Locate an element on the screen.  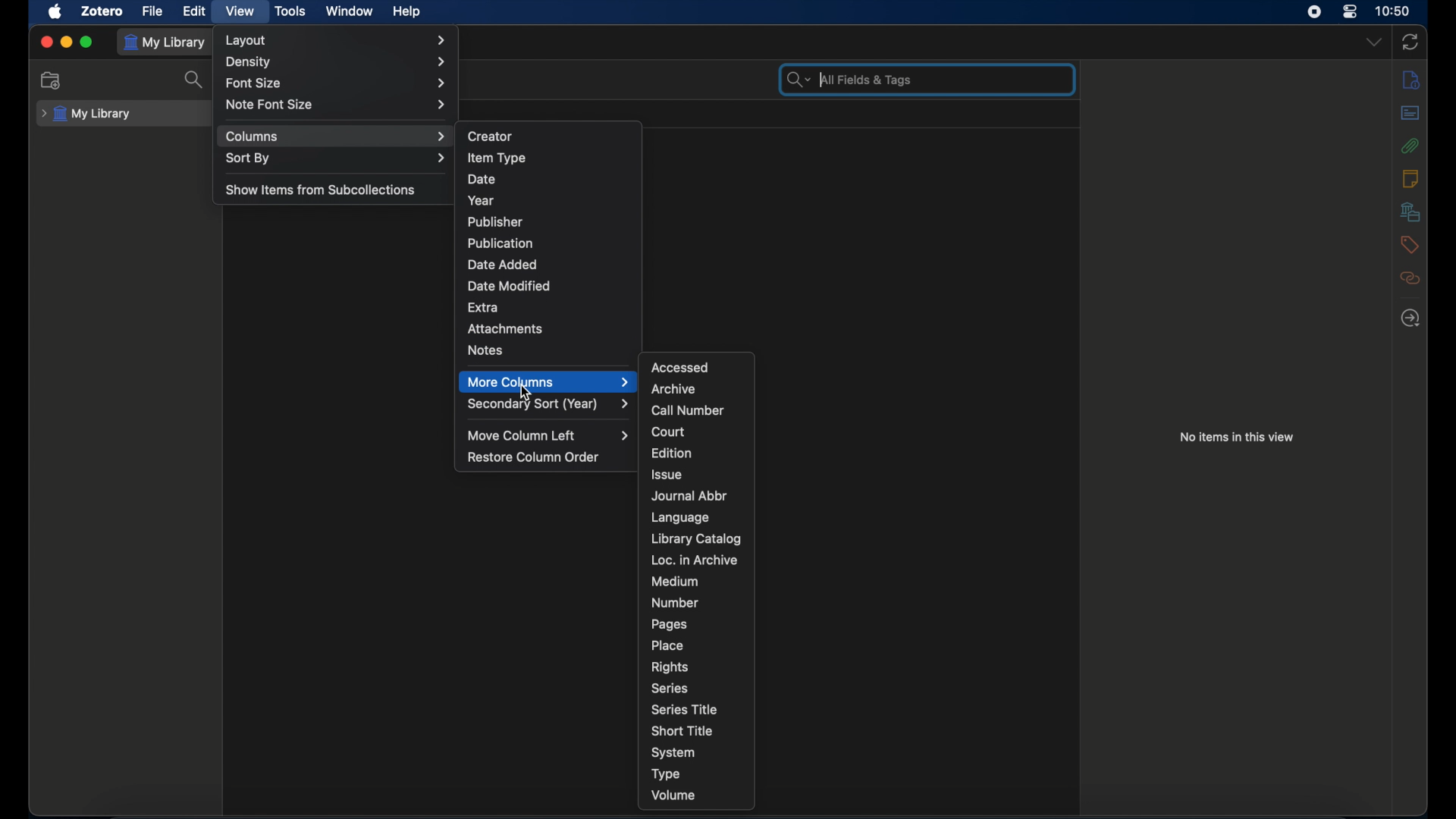
publisher is located at coordinates (494, 221).